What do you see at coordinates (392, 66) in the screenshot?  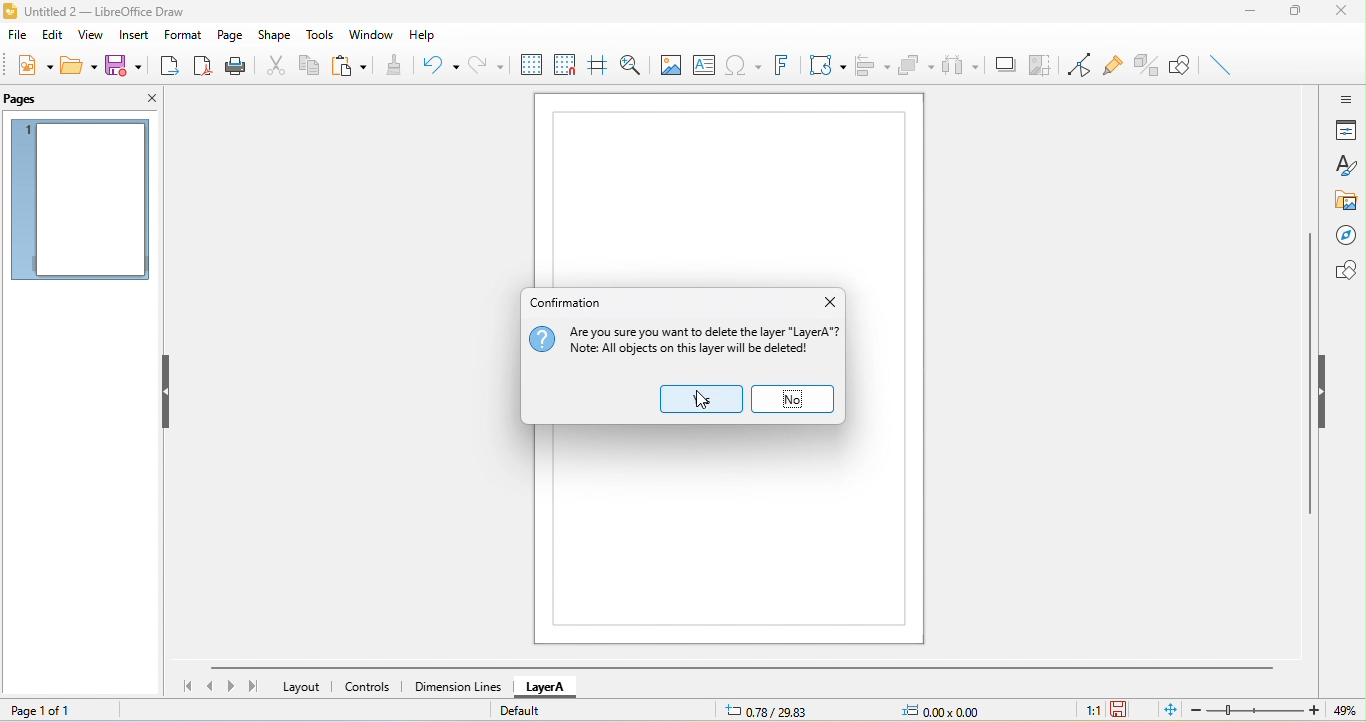 I see `clone formatting` at bounding box center [392, 66].